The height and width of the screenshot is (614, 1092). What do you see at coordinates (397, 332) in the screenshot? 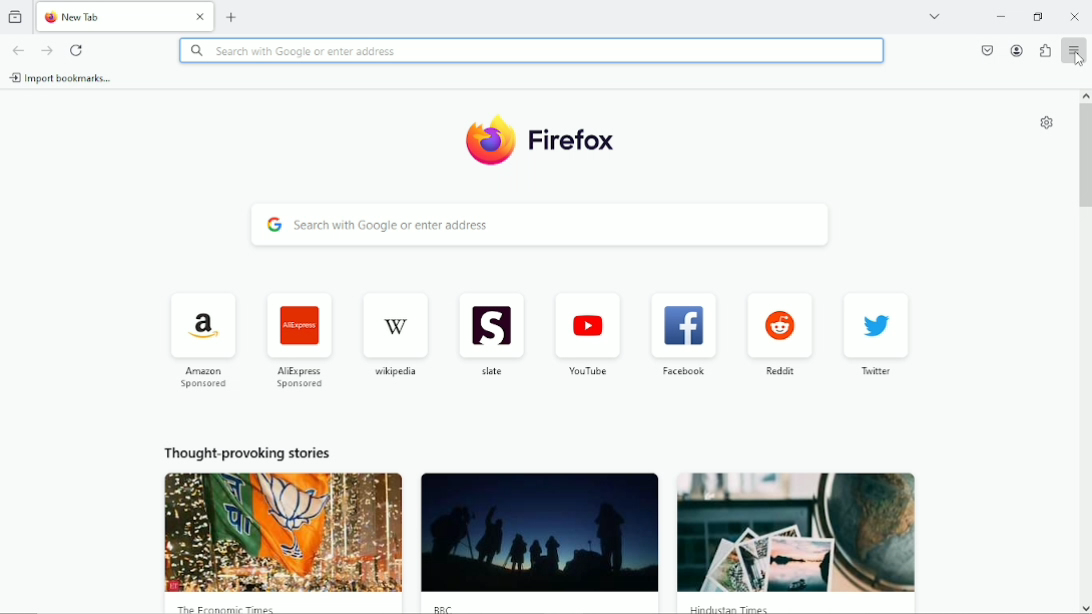
I see `Wikipedia` at bounding box center [397, 332].